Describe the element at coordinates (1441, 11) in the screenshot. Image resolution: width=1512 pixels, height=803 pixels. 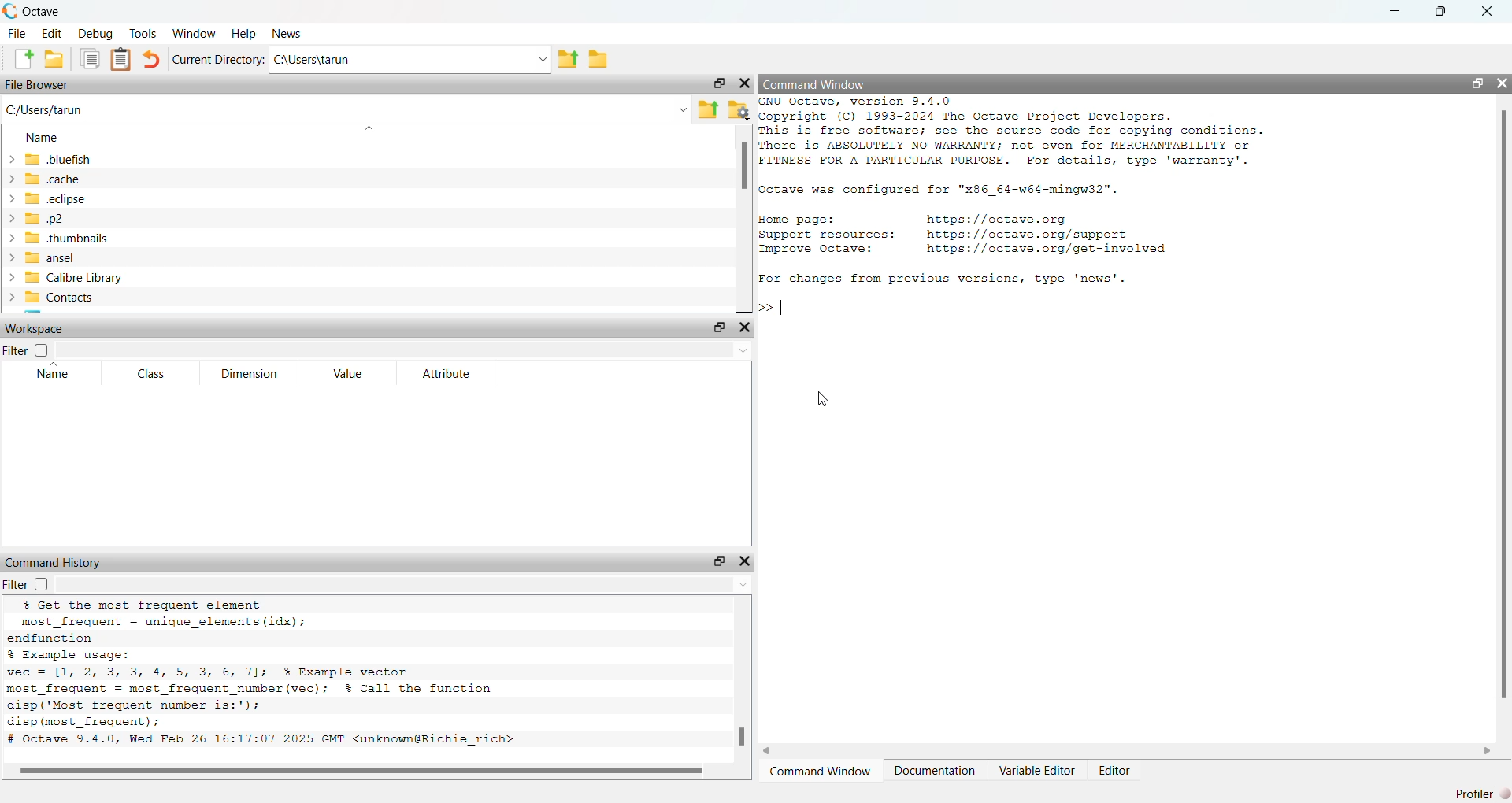
I see `restore` at that location.